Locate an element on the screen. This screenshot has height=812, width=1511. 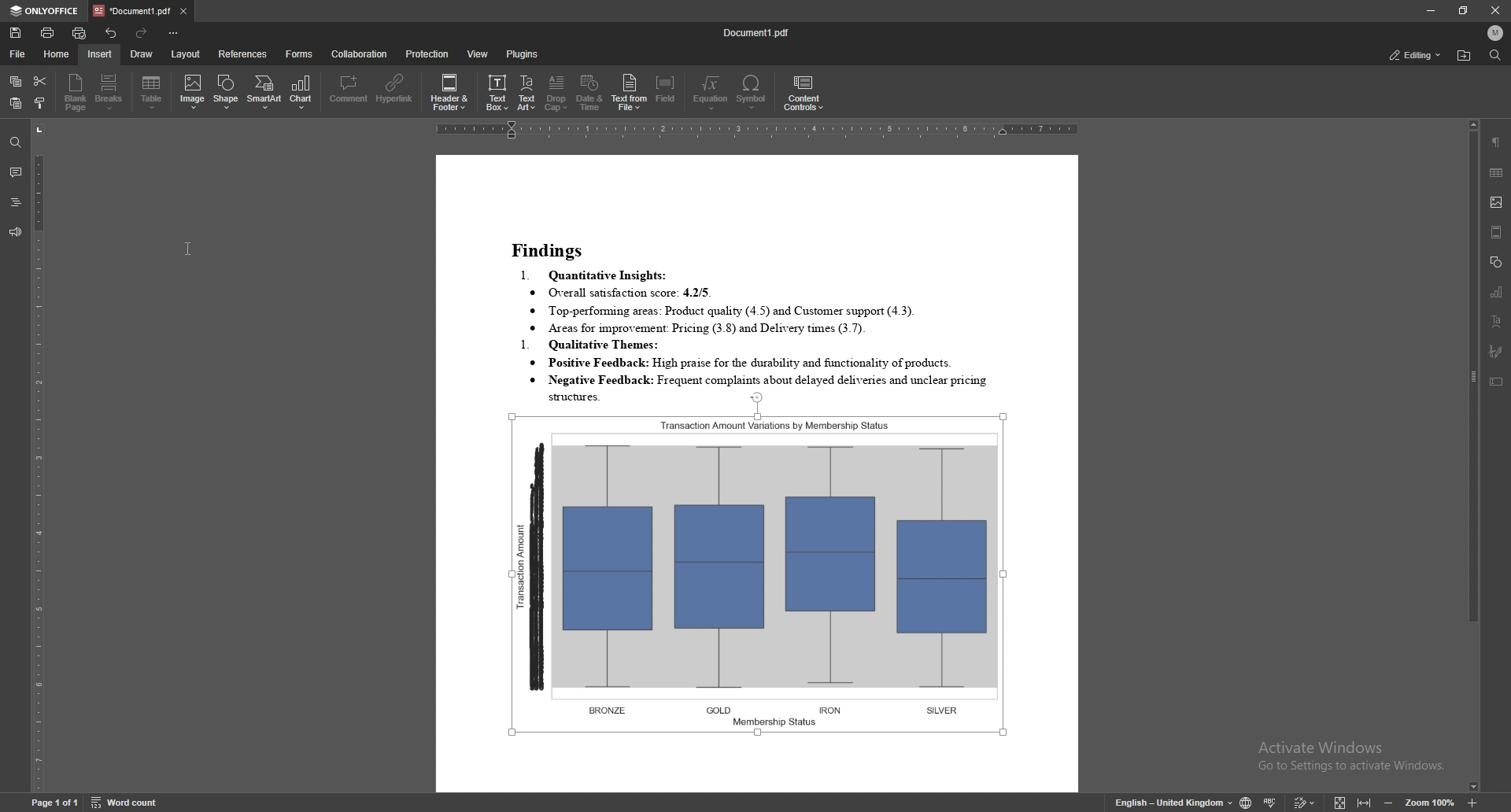
fit to screen is located at coordinates (1340, 802).